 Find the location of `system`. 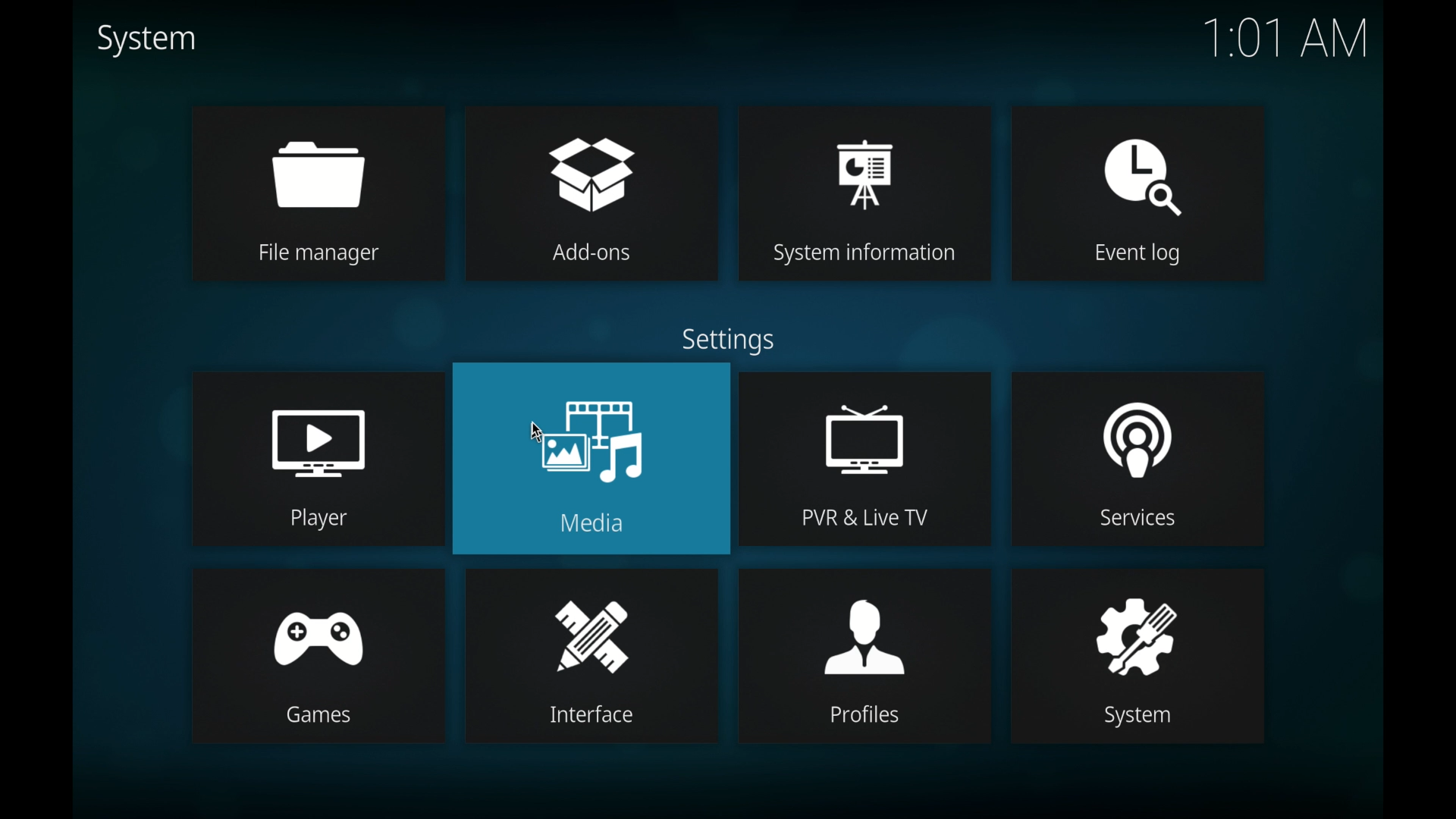

system is located at coordinates (144, 40).